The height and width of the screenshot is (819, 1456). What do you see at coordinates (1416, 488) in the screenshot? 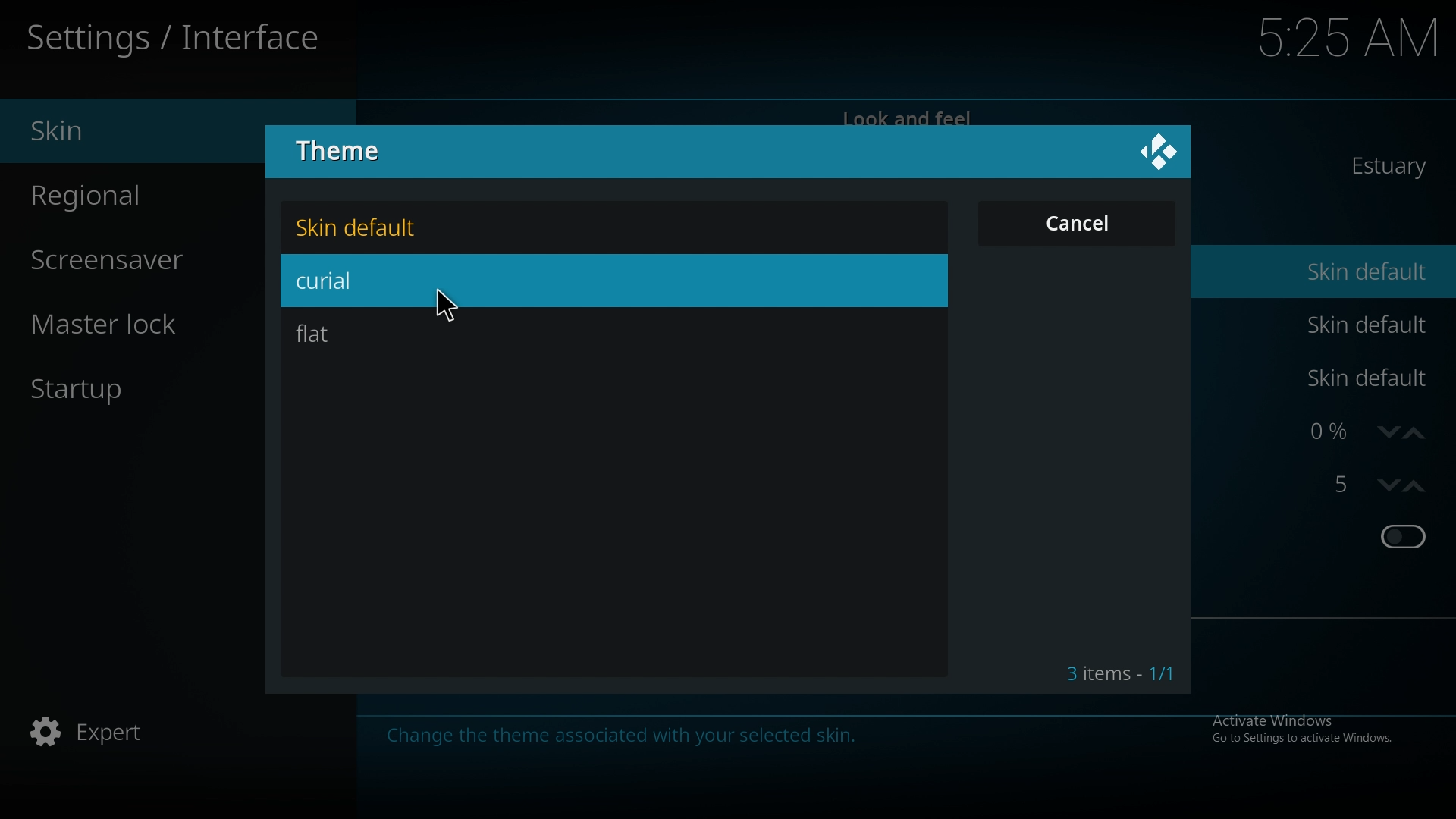
I see `increase` at bounding box center [1416, 488].